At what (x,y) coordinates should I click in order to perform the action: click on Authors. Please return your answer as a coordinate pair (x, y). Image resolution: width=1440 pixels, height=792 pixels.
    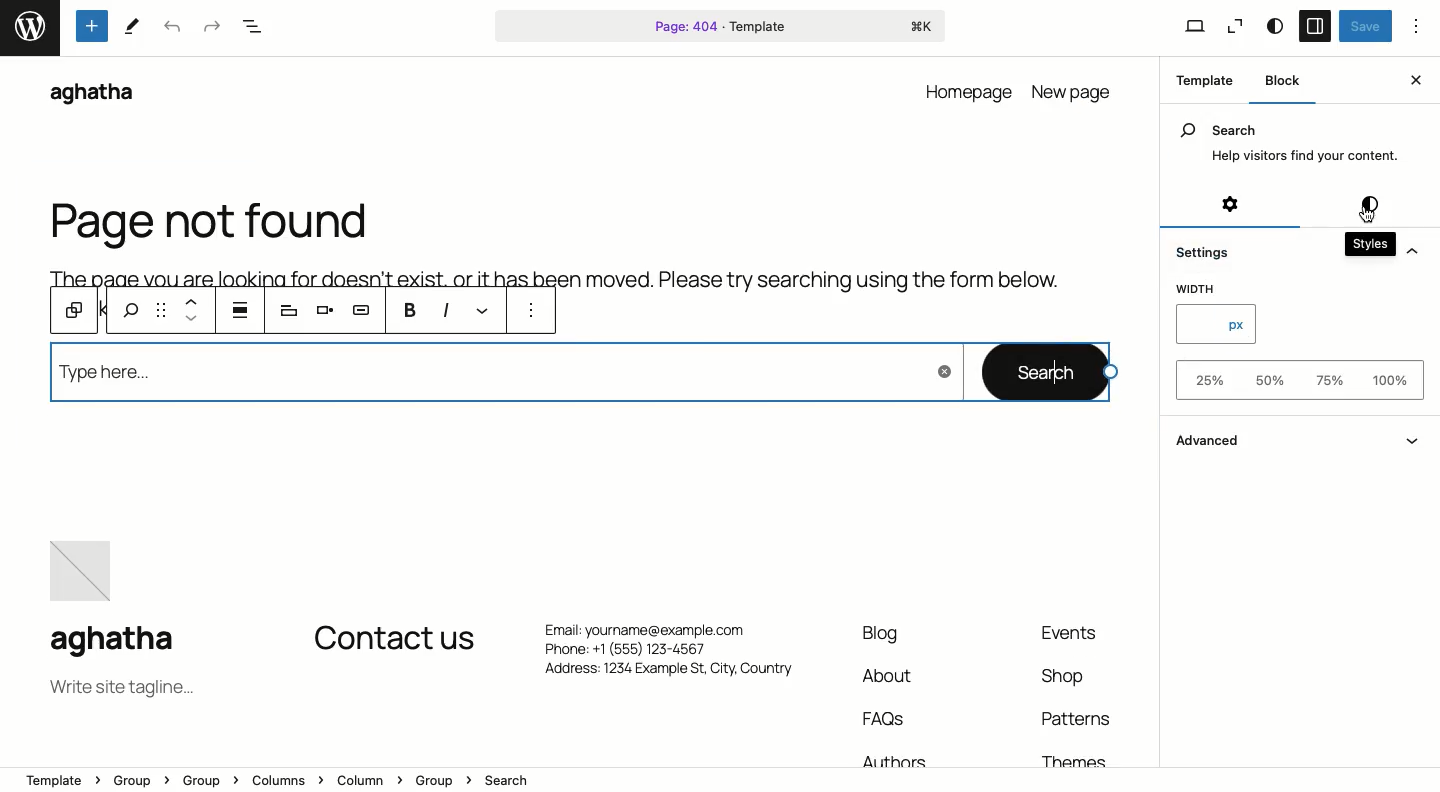
    Looking at the image, I should click on (889, 758).